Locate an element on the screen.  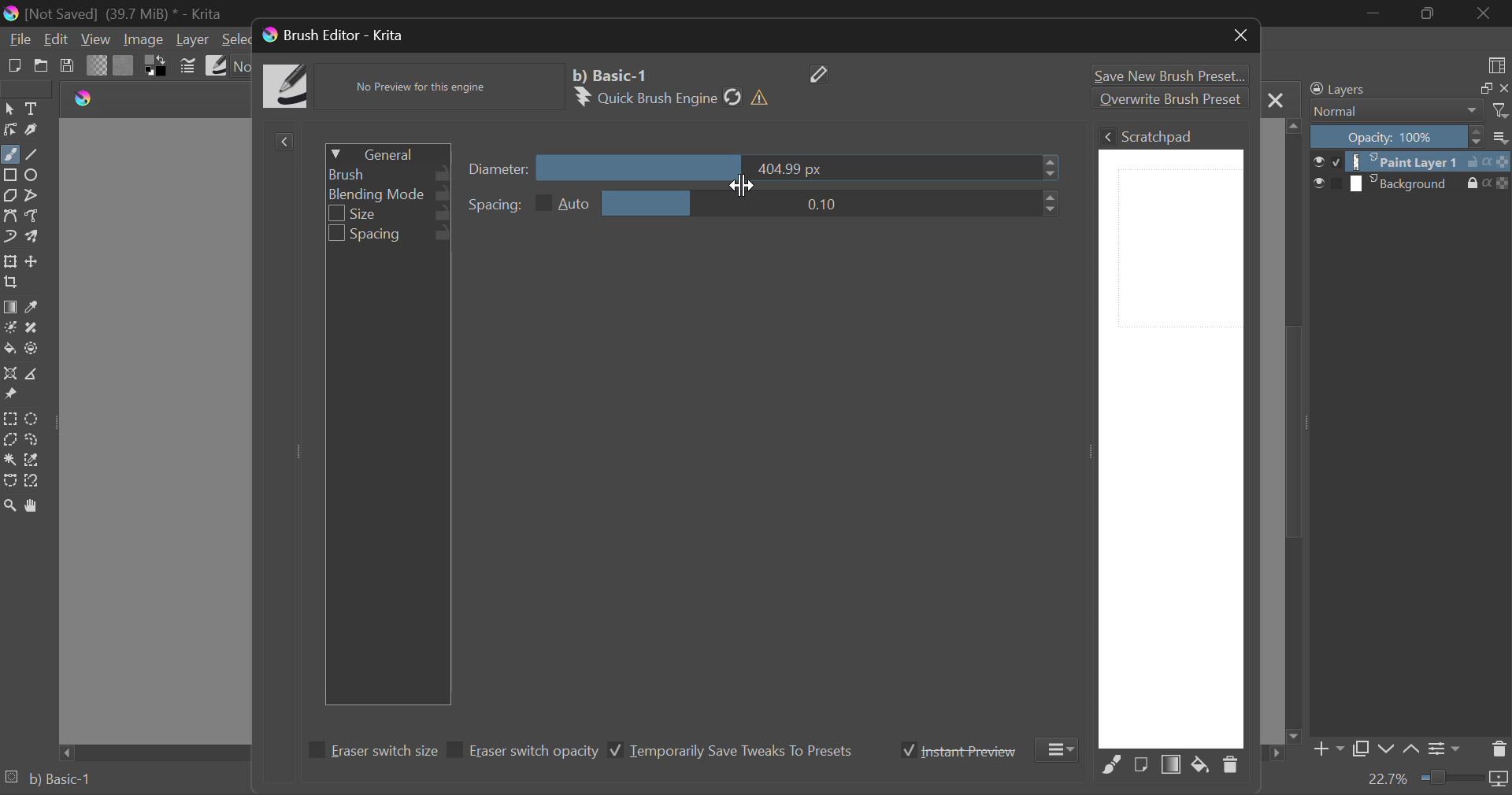
Show Presets is located at coordinates (283, 142).